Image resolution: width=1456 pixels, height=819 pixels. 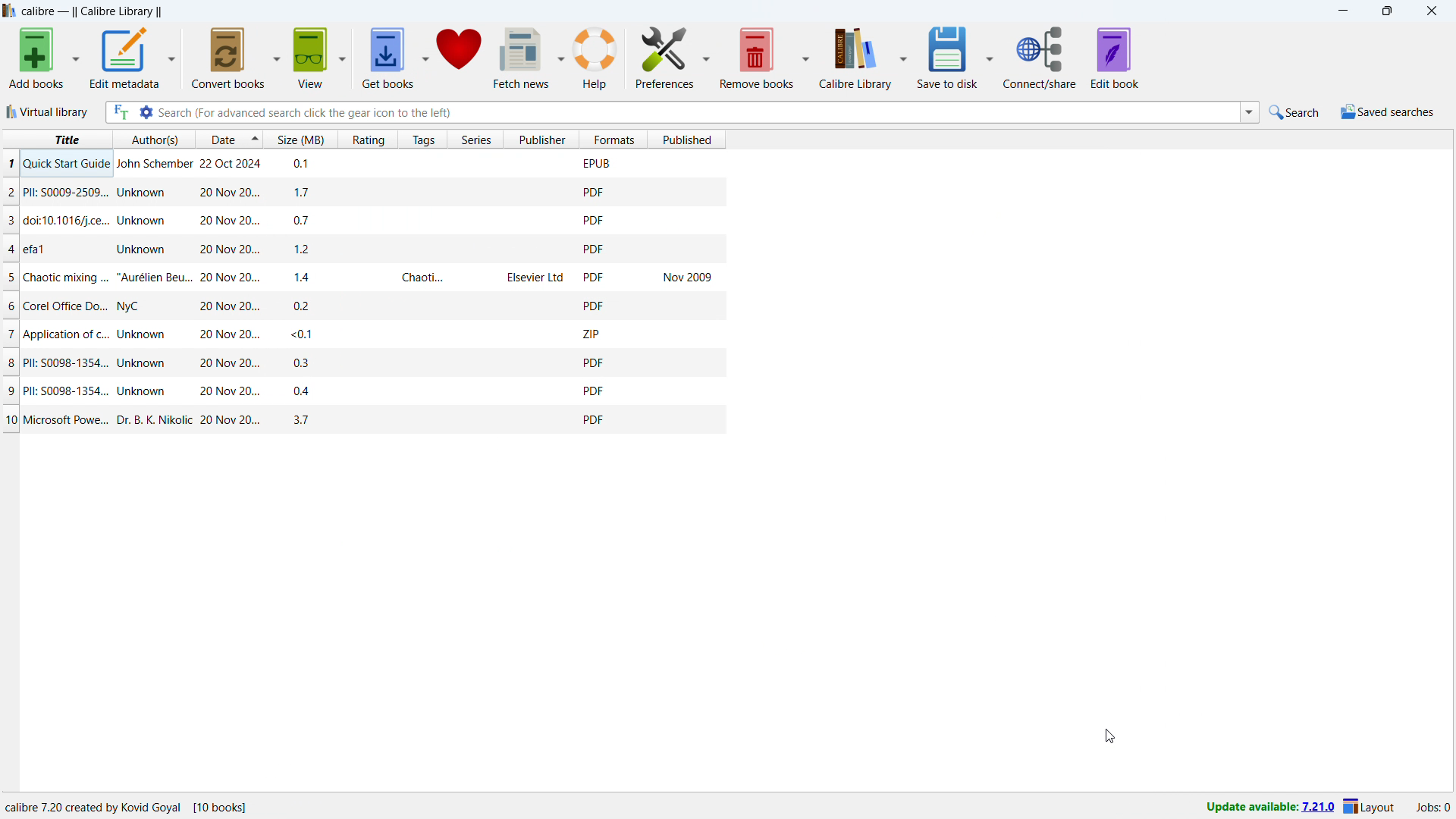 What do you see at coordinates (1295, 111) in the screenshot?
I see `quick search` at bounding box center [1295, 111].